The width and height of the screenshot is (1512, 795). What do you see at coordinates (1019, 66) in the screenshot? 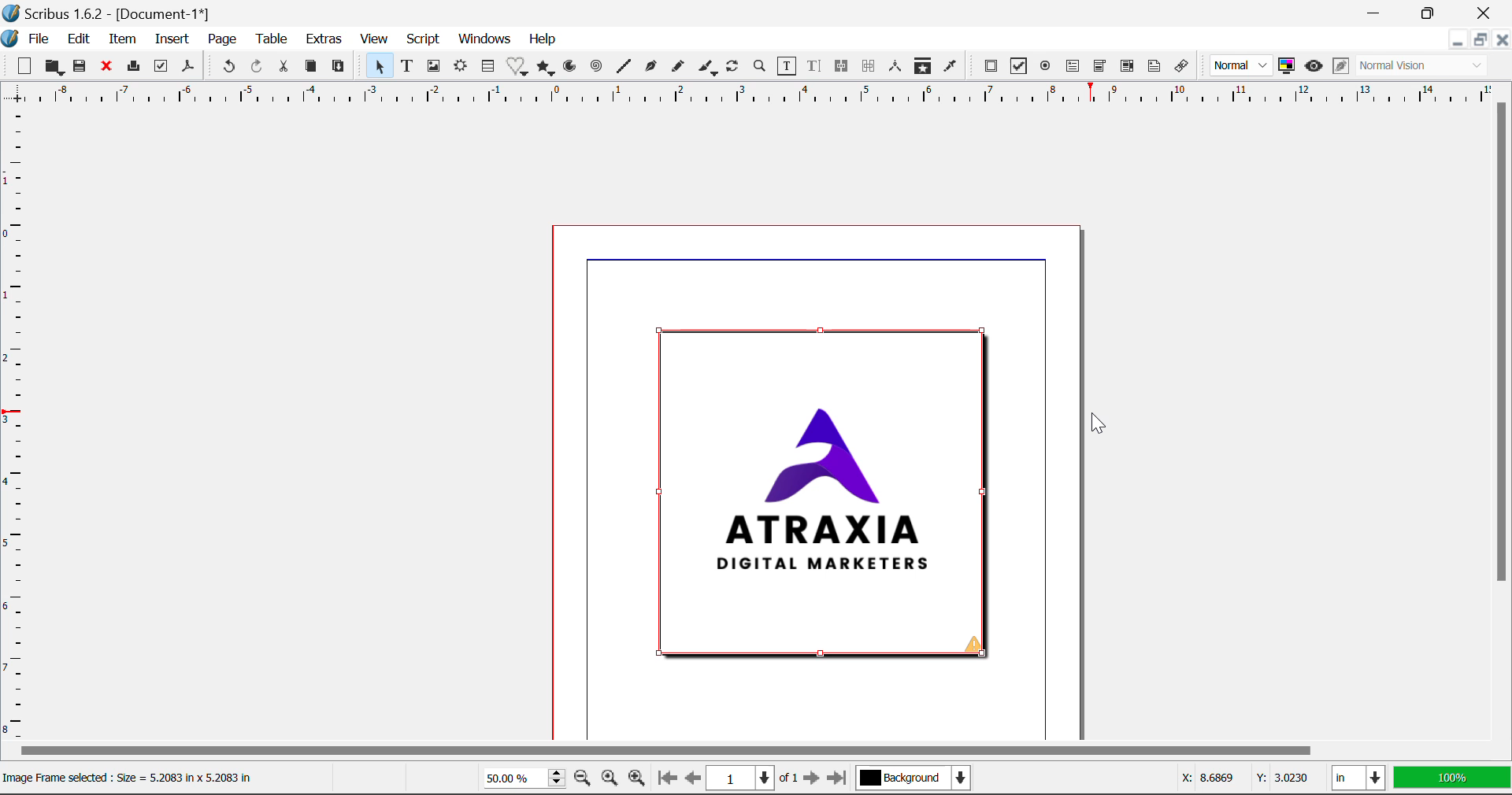
I see `Pdf Checkbox` at bounding box center [1019, 66].